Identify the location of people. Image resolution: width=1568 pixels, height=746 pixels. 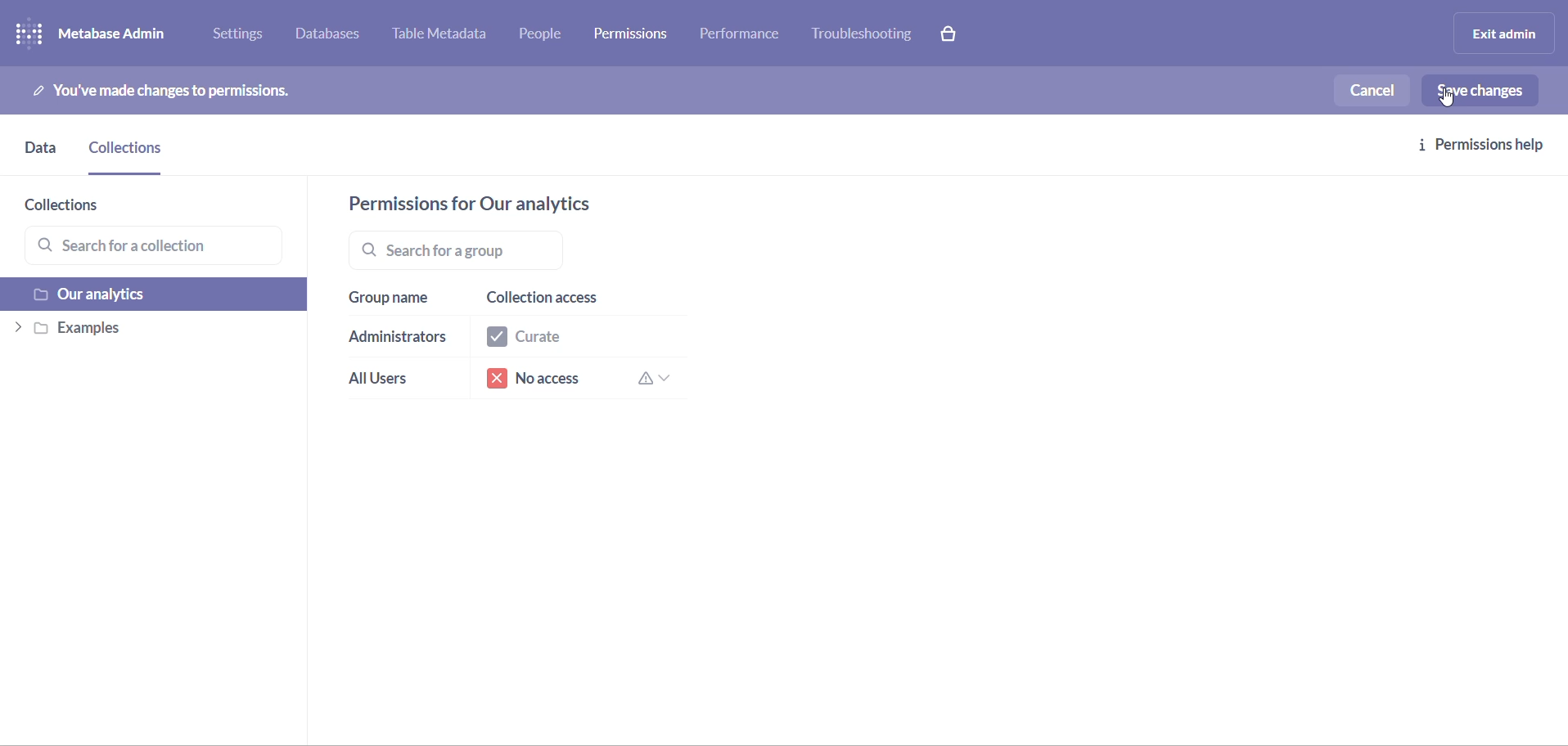
(547, 36).